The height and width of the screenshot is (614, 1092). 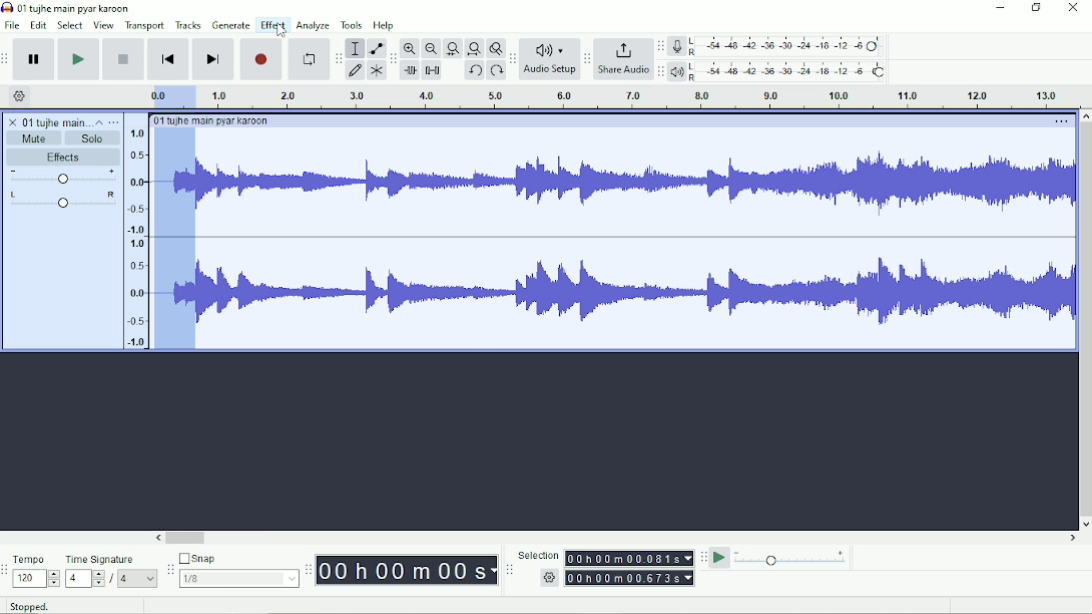 What do you see at coordinates (43, 604) in the screenshot?
I see `Stopped` at bounding box center [43, 604].